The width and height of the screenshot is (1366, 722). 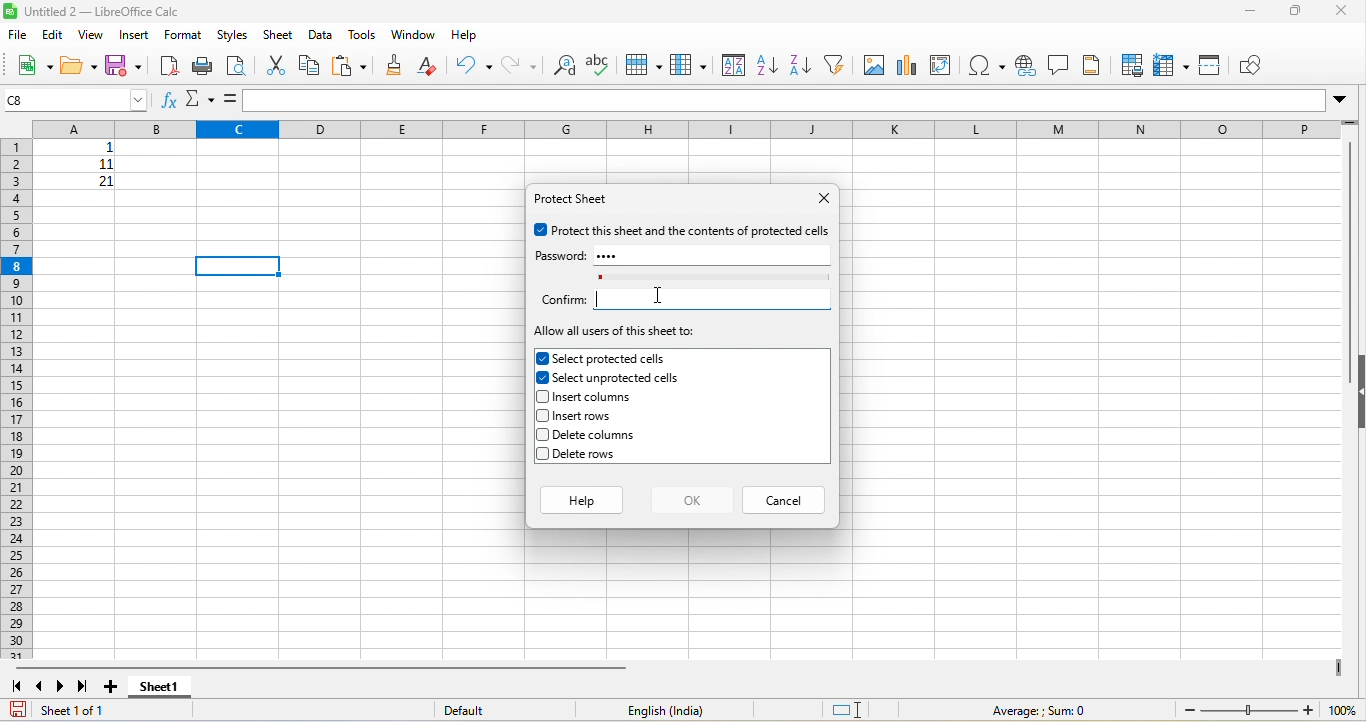 What do you see at coordinates (40, 685) in the screenshot?
I see `previous` at bounding box center [40, 685].